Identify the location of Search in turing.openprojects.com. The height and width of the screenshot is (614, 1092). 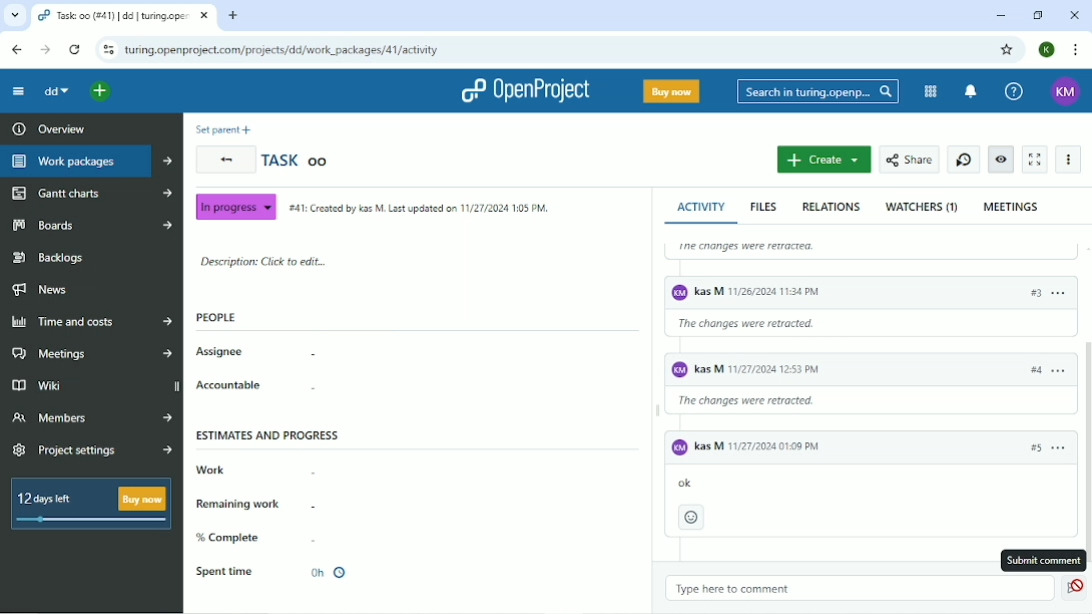
(817, 91).